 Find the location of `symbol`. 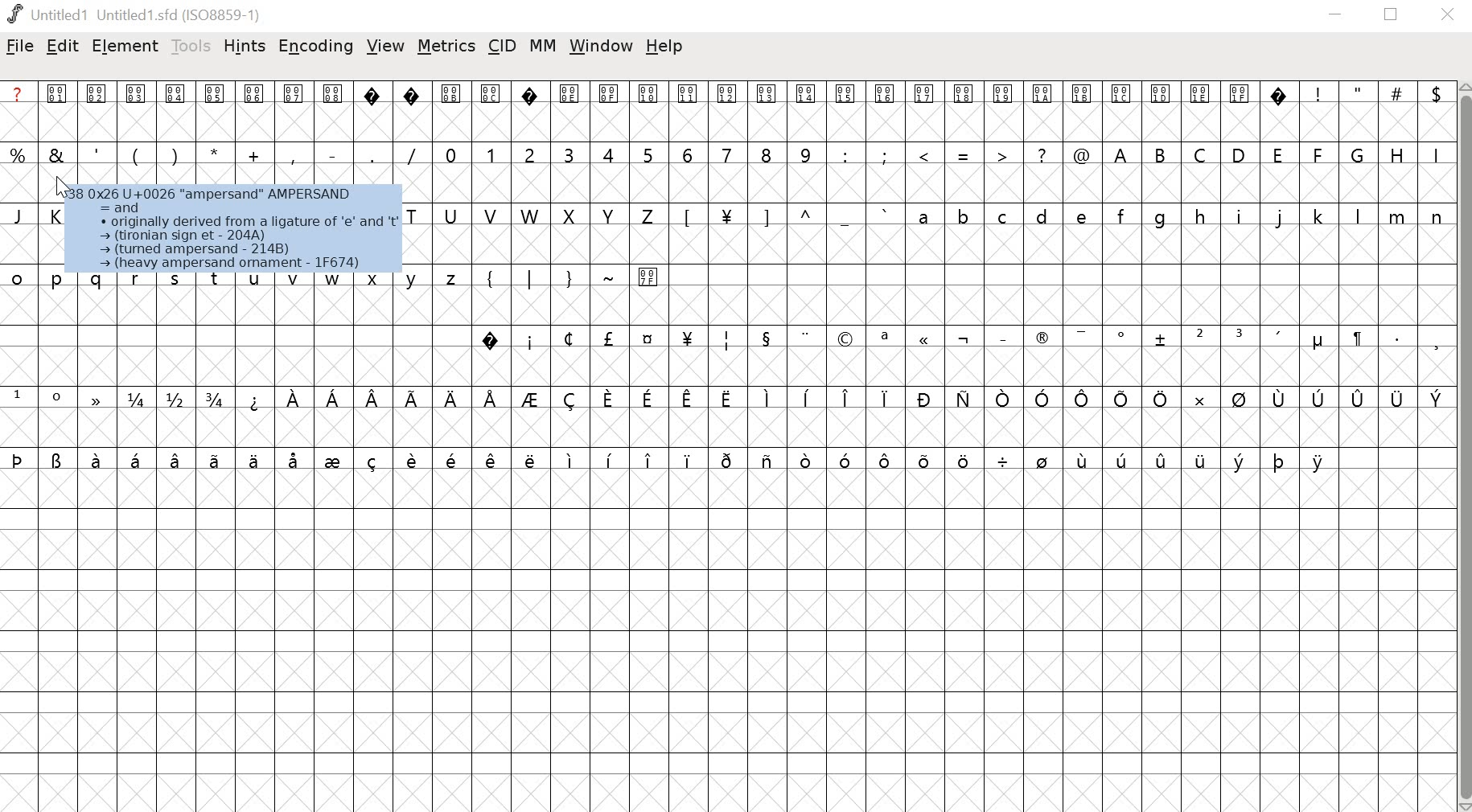

symbol is located at coordinates (573, 396).